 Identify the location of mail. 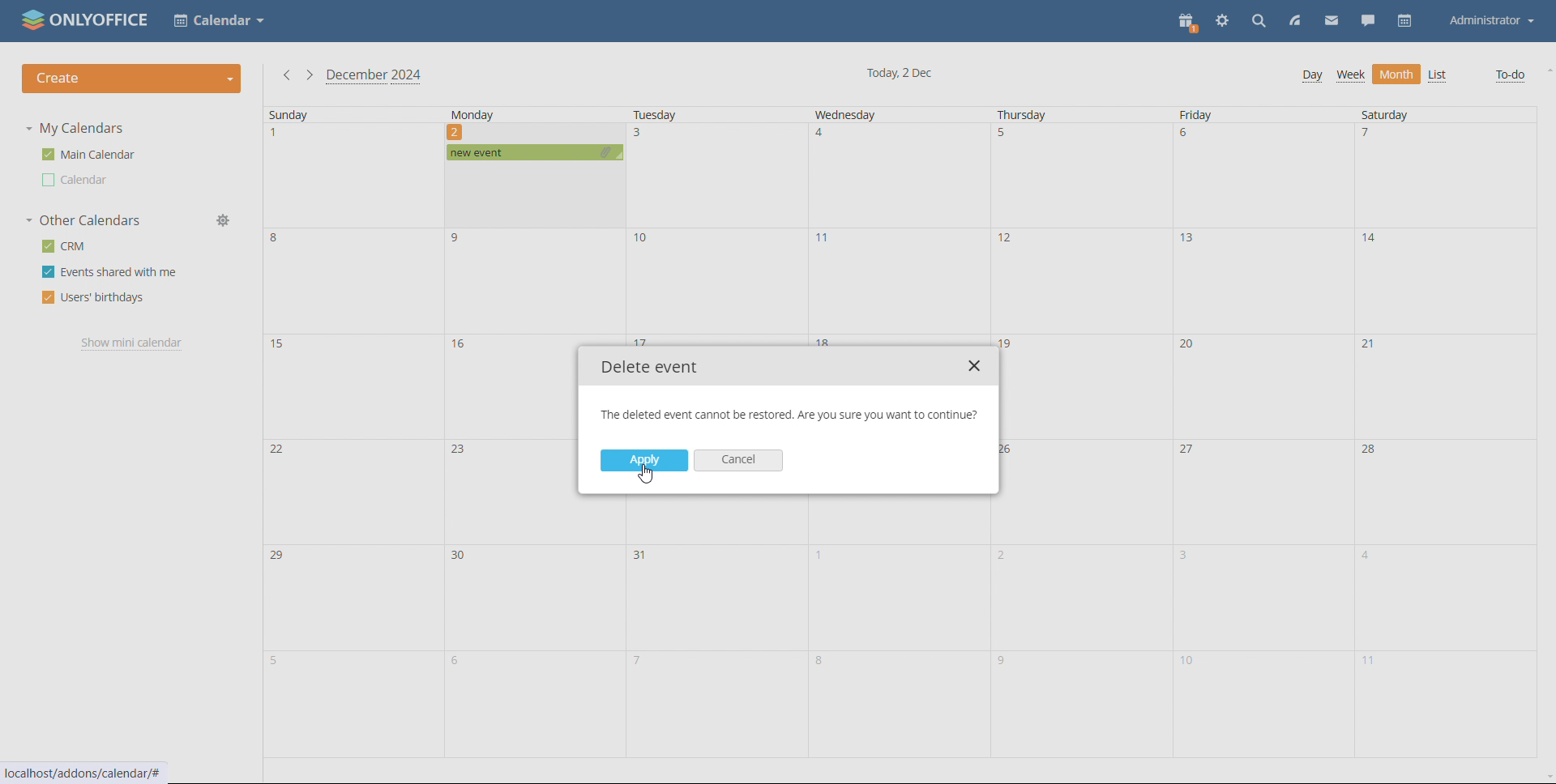
(1332, 20).